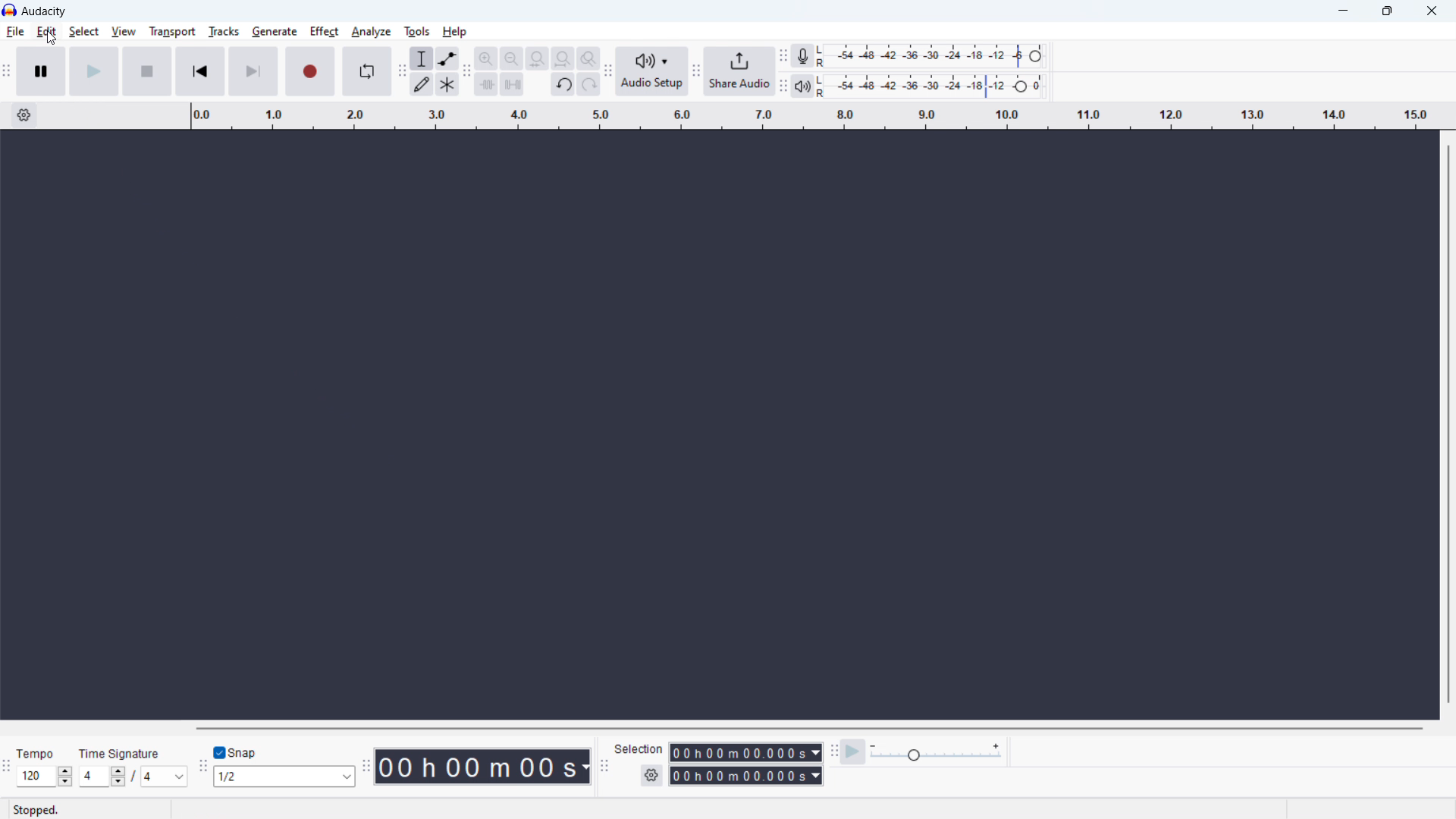 The width and height of the screenshot is (1456, 819). Describe the element at coordinates (50, 39) in the screenshot. I see `cursor` at that location.